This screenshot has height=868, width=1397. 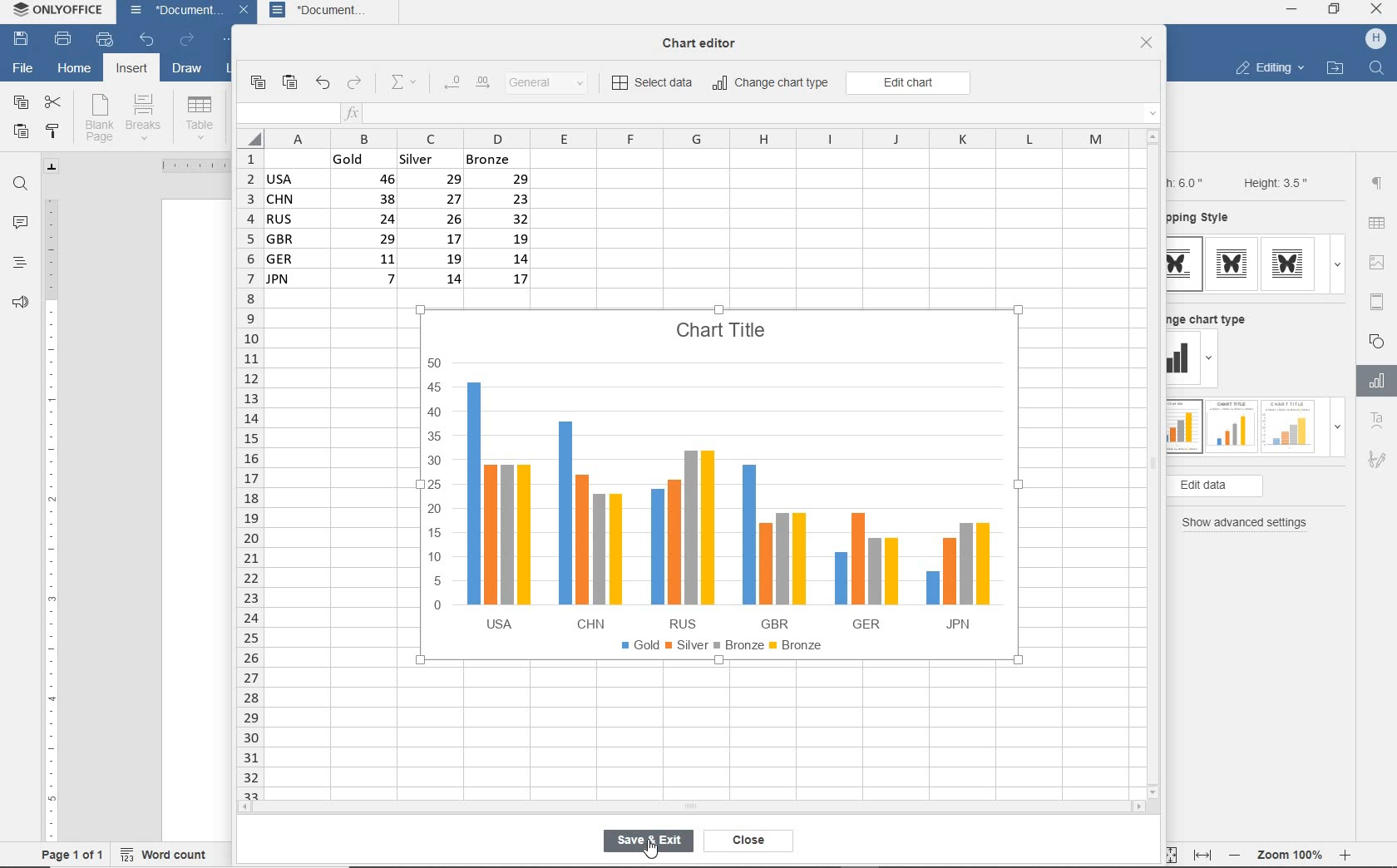 I want to click on restore down, so click(x=1335, y=11).